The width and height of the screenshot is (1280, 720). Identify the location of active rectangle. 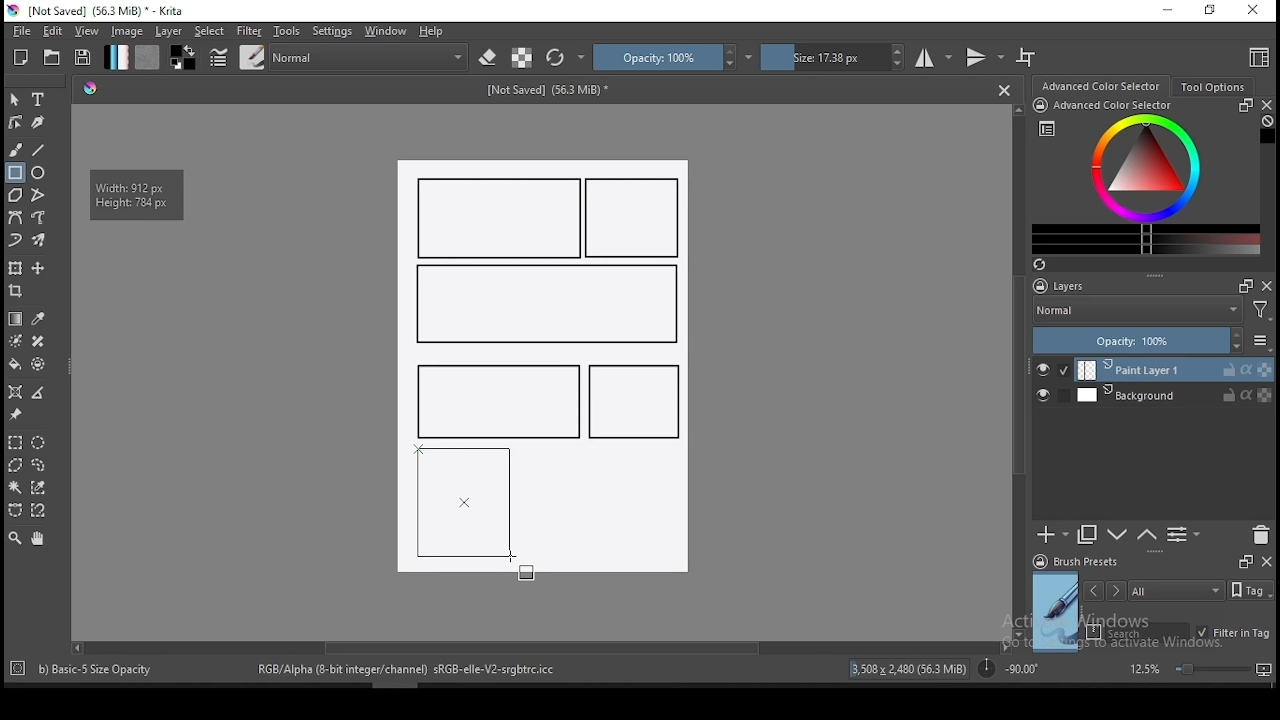
(464, 502).